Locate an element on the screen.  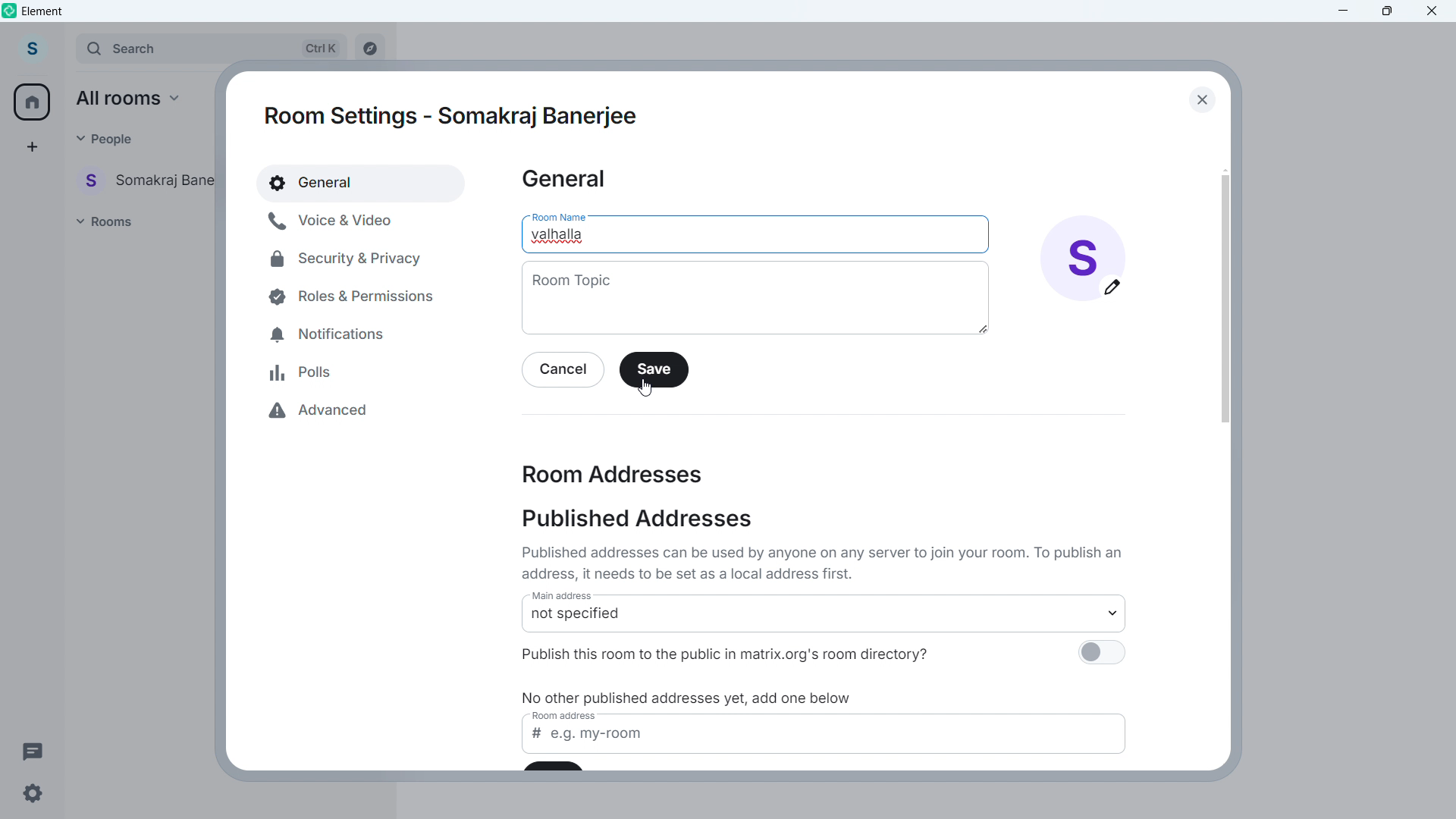
no other published addresses yet,add one below is located at coordinates (691, 698).